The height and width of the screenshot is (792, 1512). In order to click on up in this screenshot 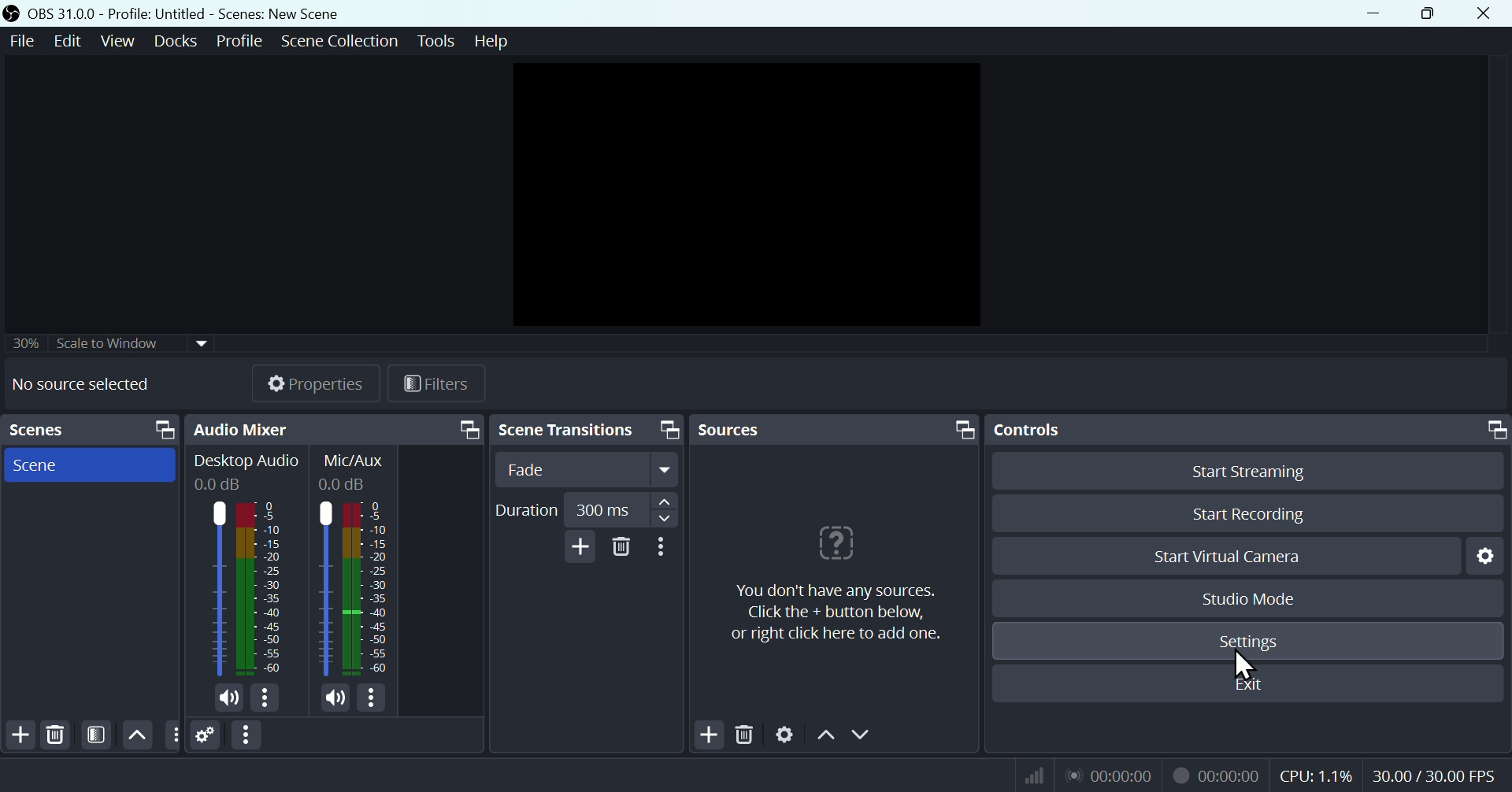, I will do `click(138, 734)`.